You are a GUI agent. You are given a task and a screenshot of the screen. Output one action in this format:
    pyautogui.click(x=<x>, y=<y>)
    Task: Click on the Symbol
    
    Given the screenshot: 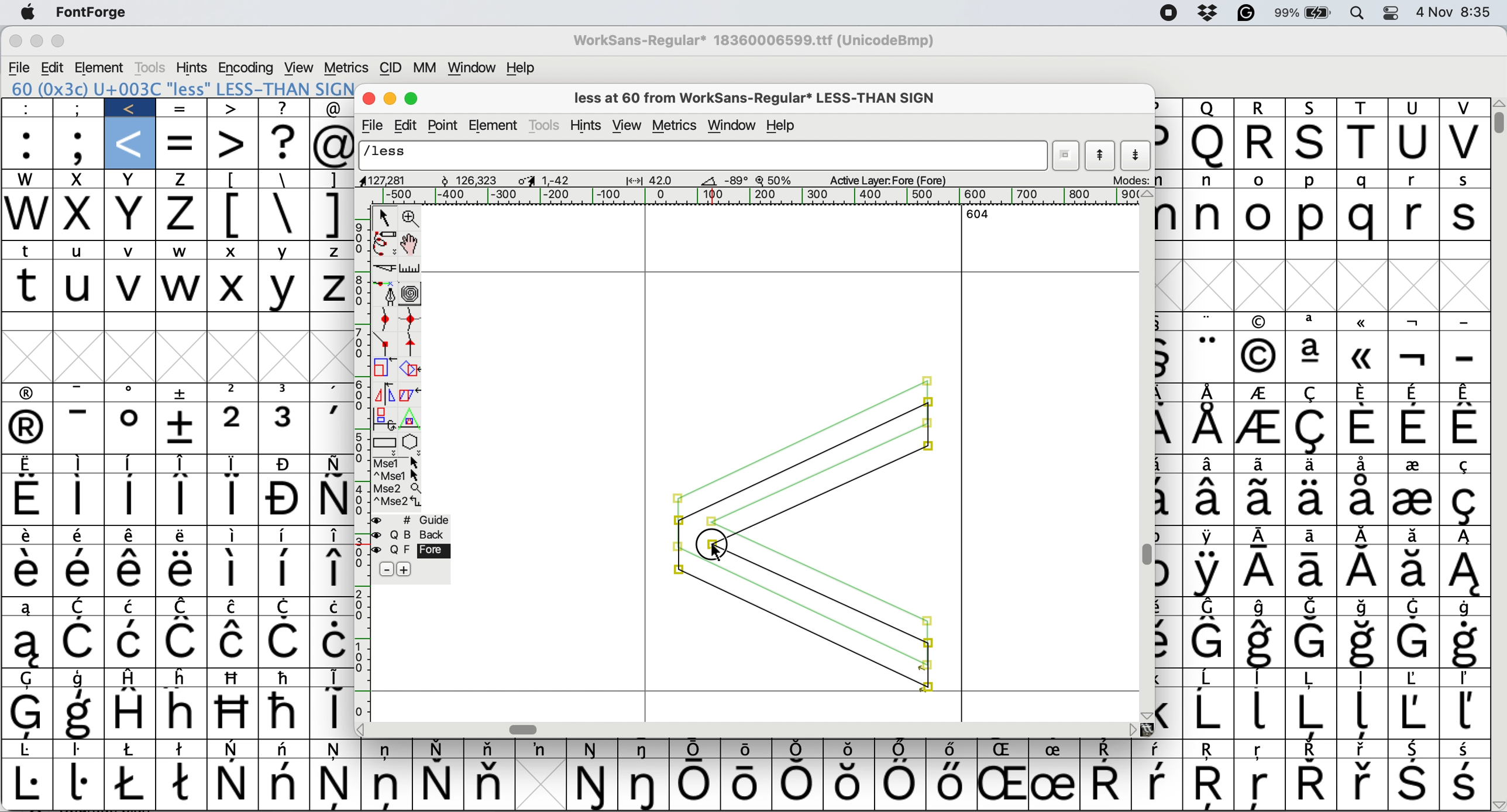 What is the action you would take?
    pyautogui.click(x=1414, y=644)
    